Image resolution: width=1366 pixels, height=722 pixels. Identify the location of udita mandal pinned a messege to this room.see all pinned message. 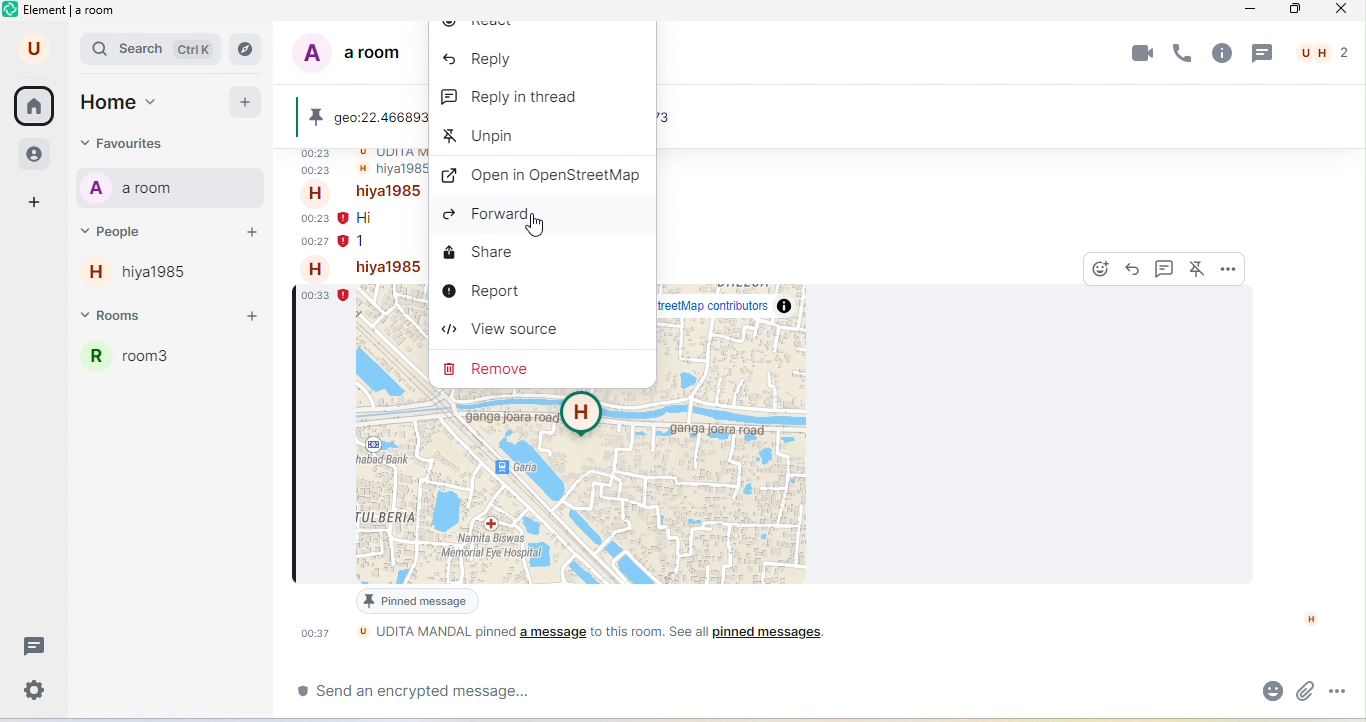
(609, 640).